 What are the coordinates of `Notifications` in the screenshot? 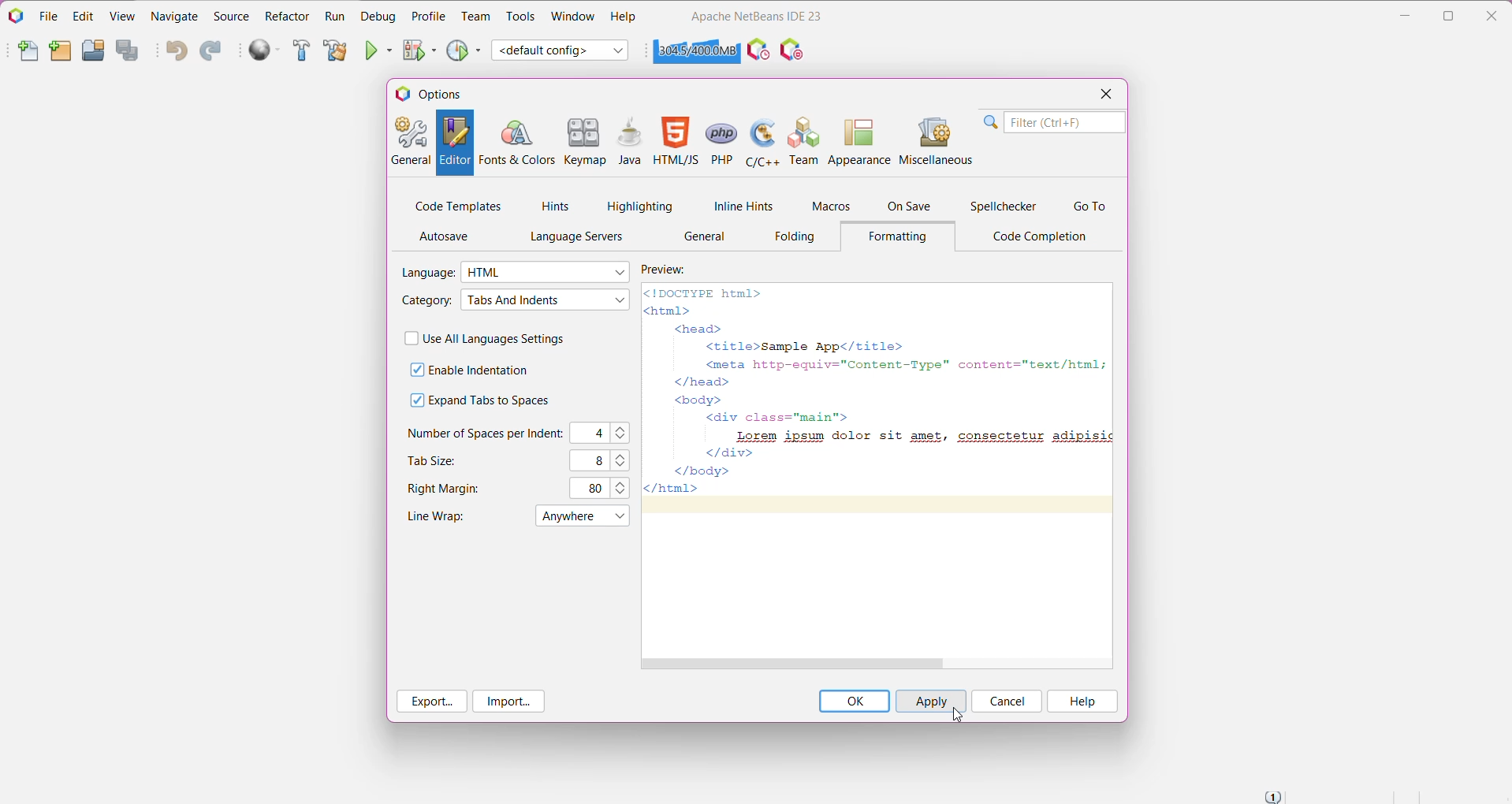 It's located at (1272, 796).